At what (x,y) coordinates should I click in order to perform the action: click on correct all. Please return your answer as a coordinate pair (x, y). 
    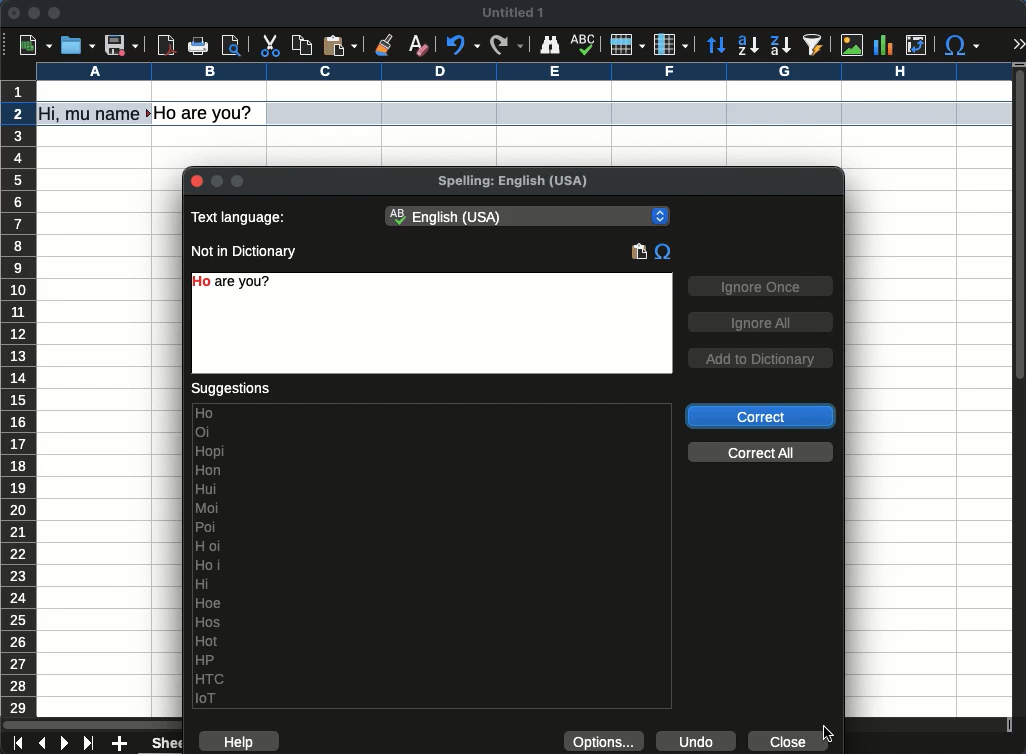
    Looking at the image, I should click on (762, 452).